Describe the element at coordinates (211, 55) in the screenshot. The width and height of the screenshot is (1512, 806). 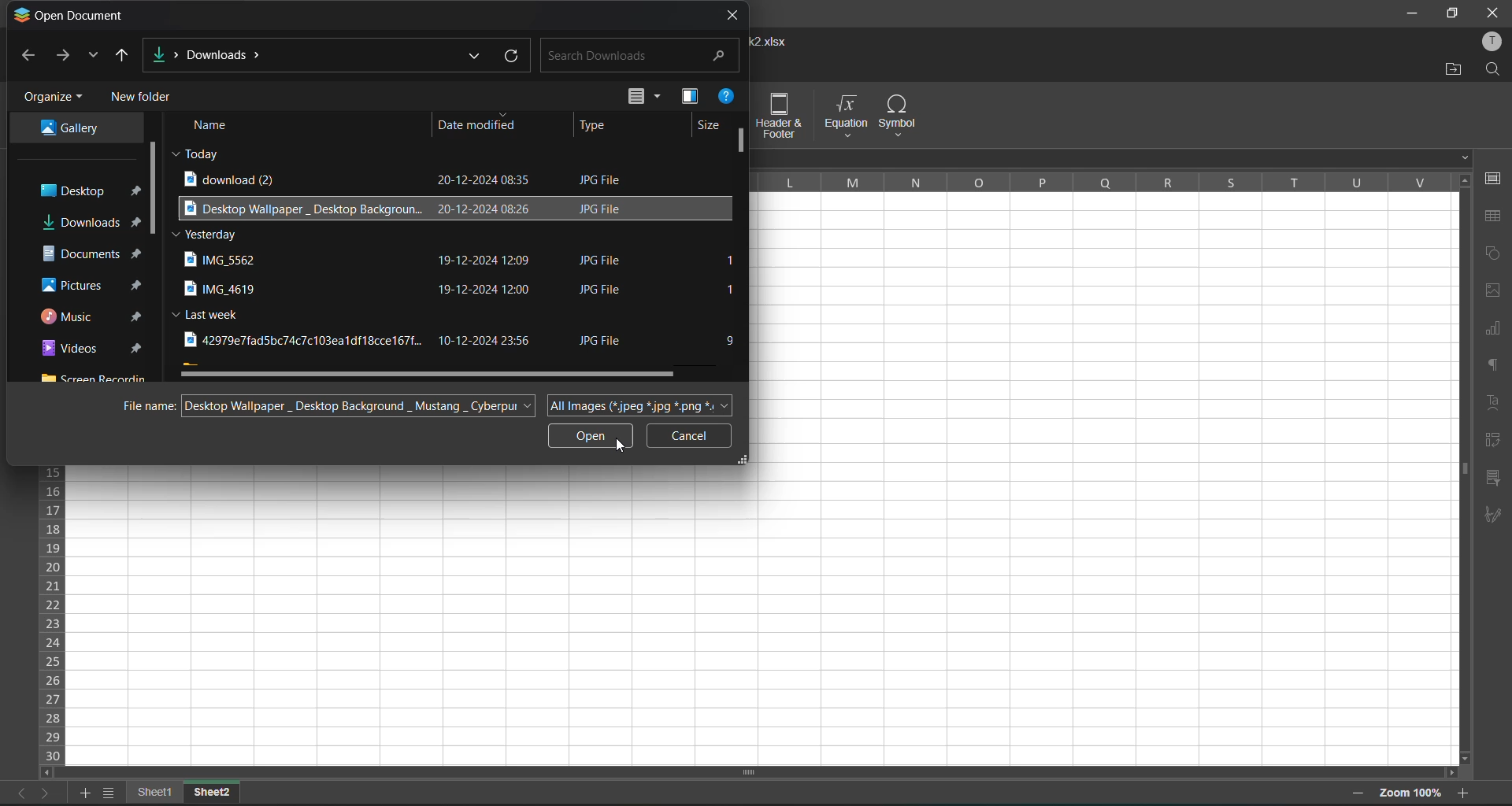
I see `Downloads` at that location.